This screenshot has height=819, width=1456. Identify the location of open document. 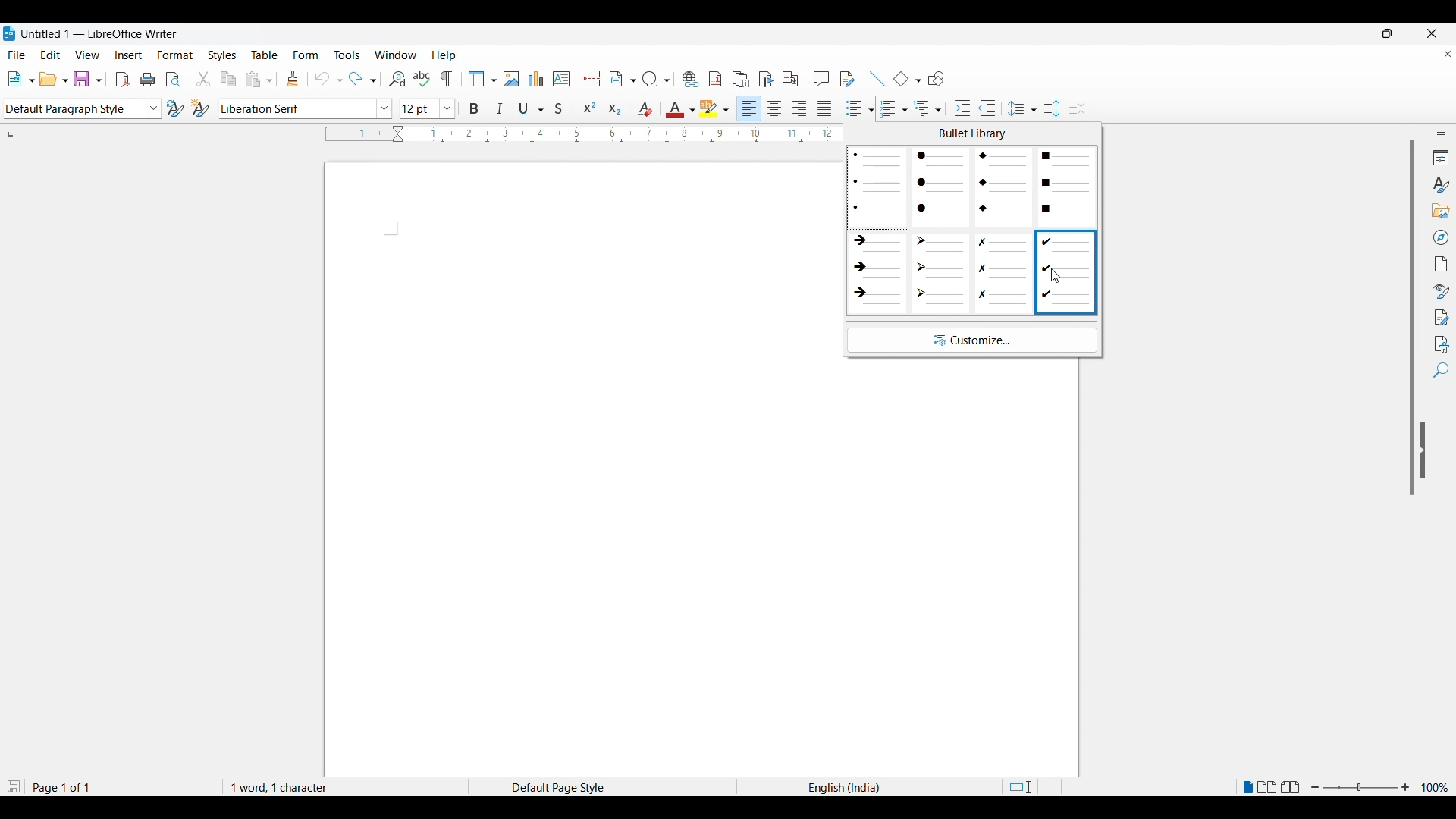
(54, 78).